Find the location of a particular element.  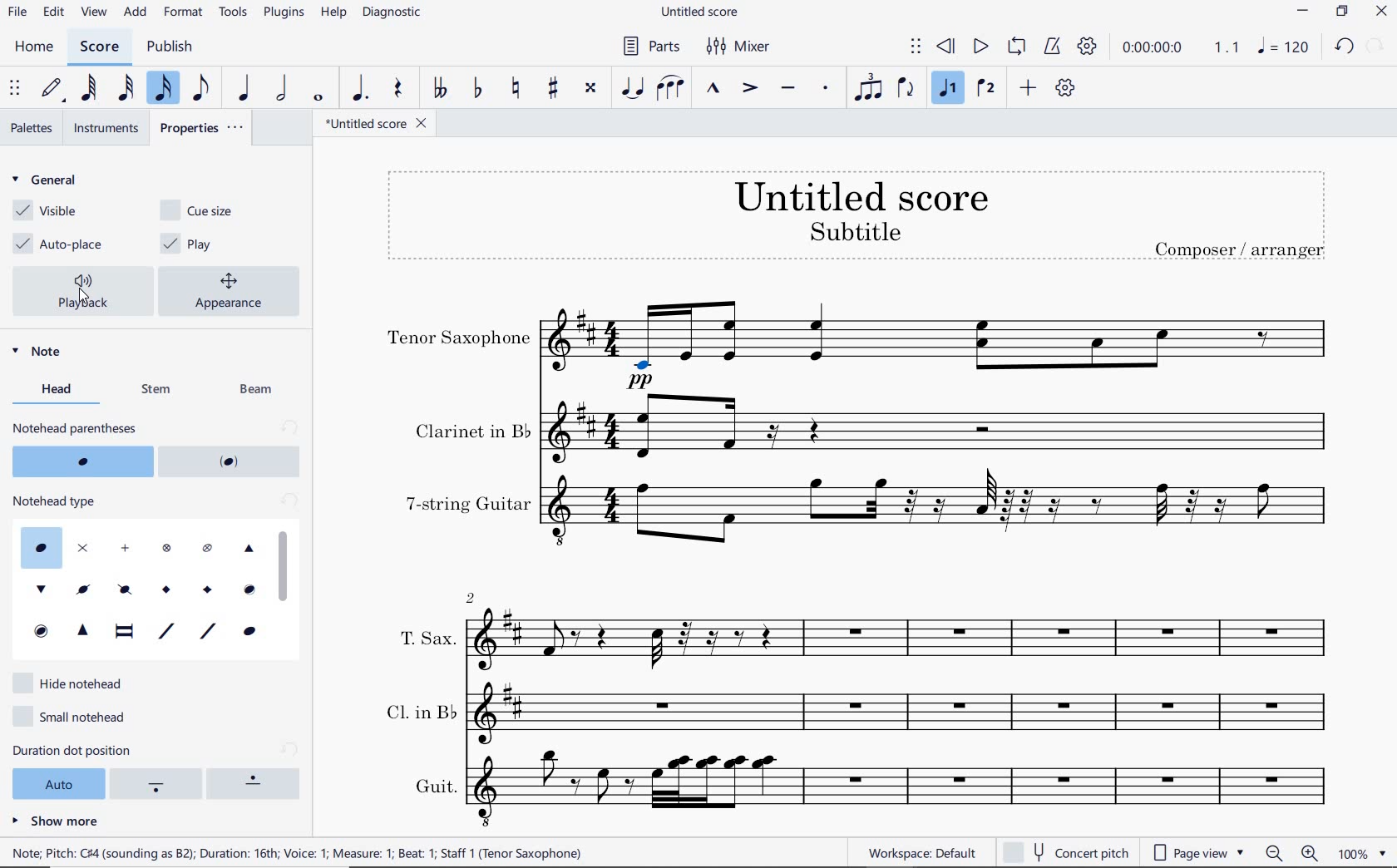

MIXER is located at coordinates (739, 47).